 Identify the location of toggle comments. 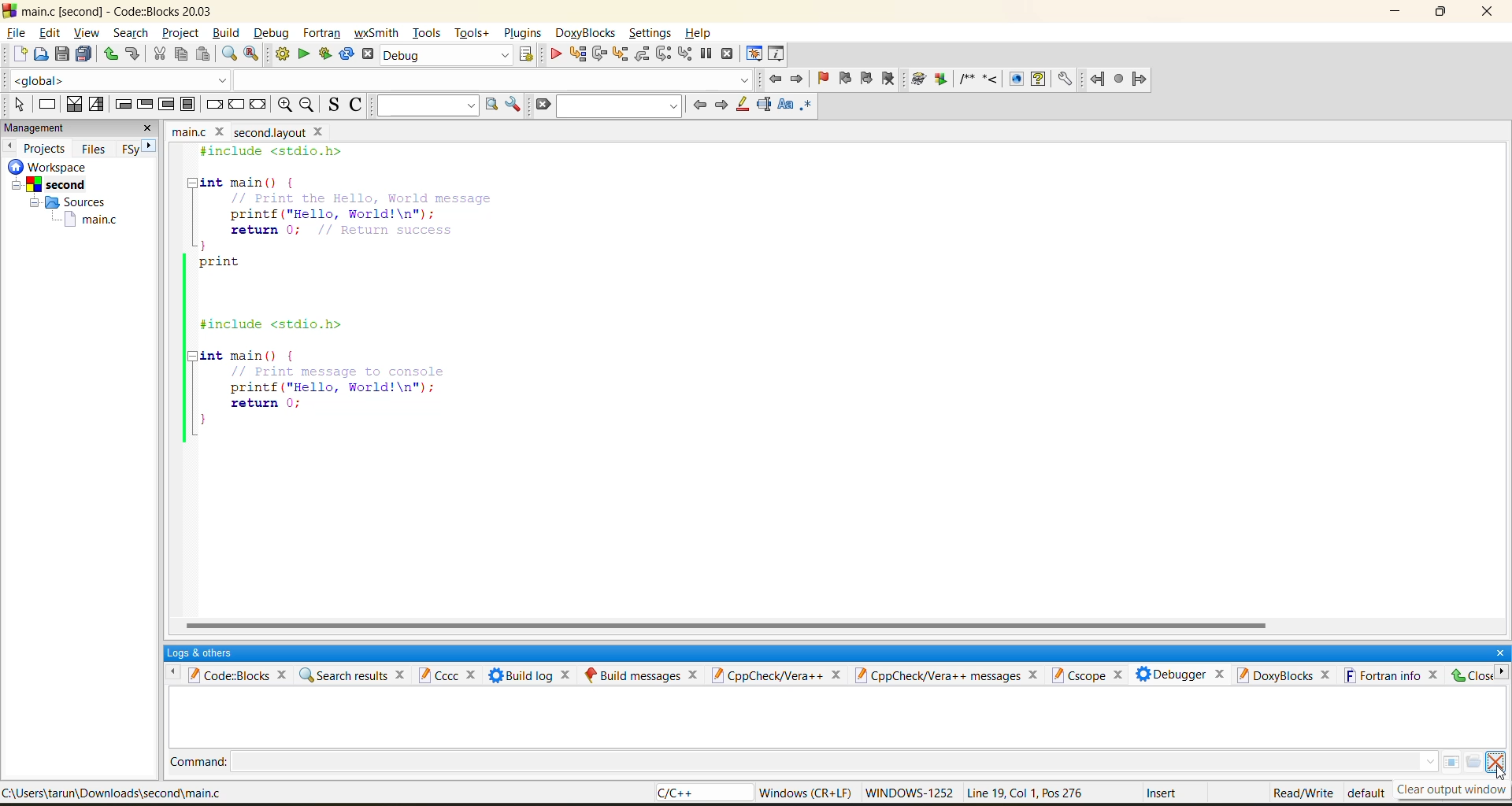
(357, 106).